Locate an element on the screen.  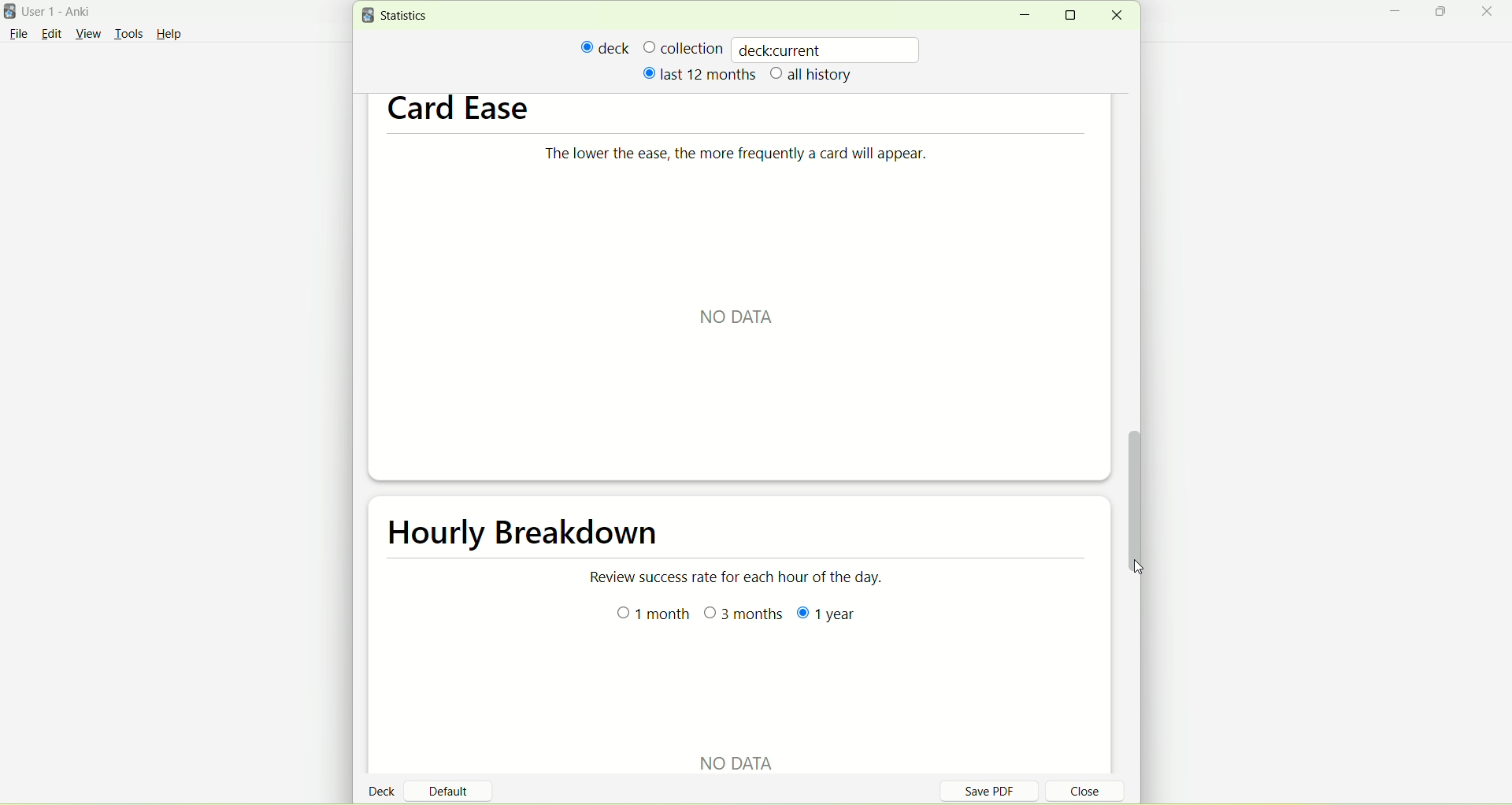
3 months is located at coordinates (743, 616).